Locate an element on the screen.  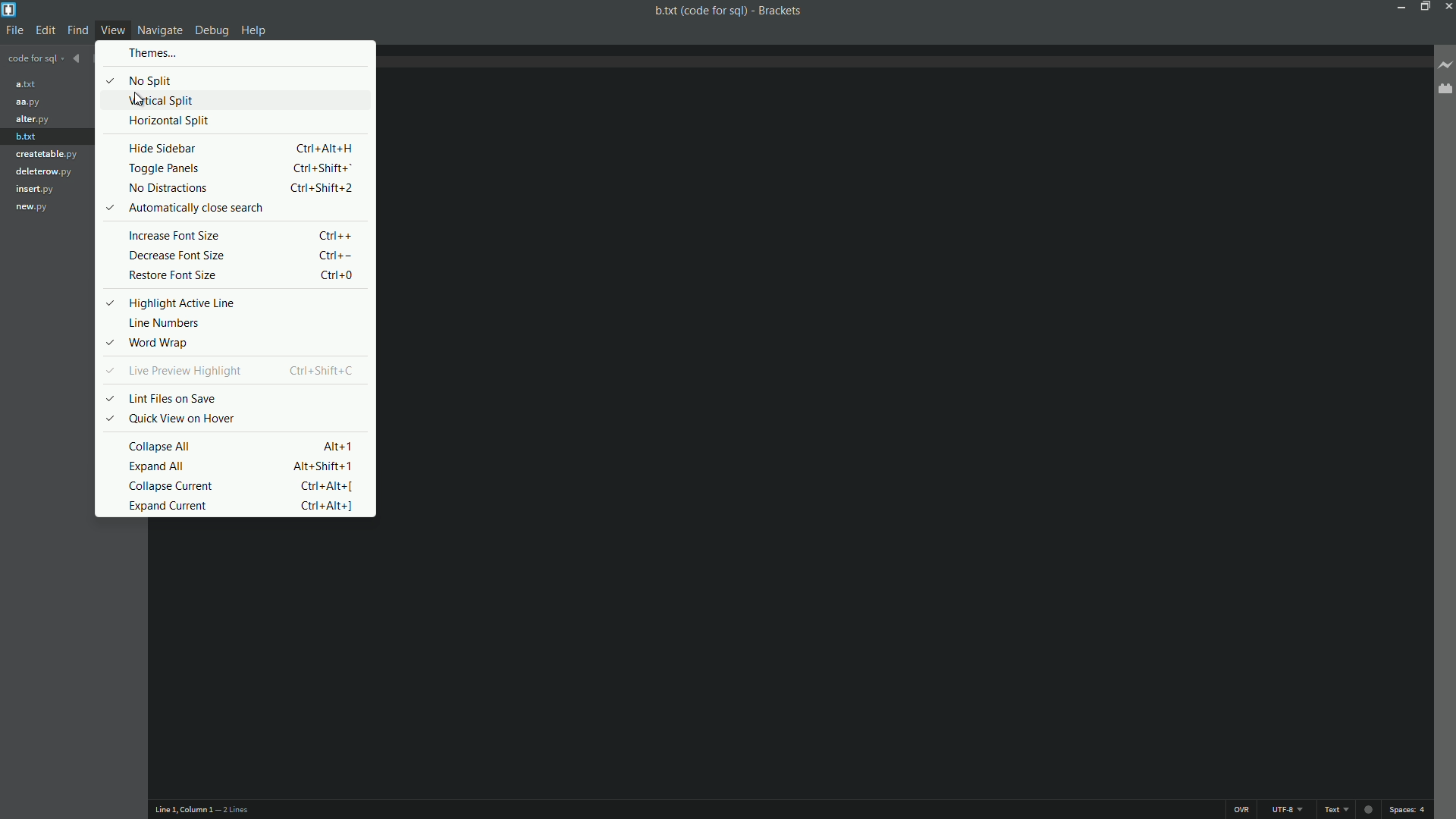
no split is located at coordinates (239, 79).